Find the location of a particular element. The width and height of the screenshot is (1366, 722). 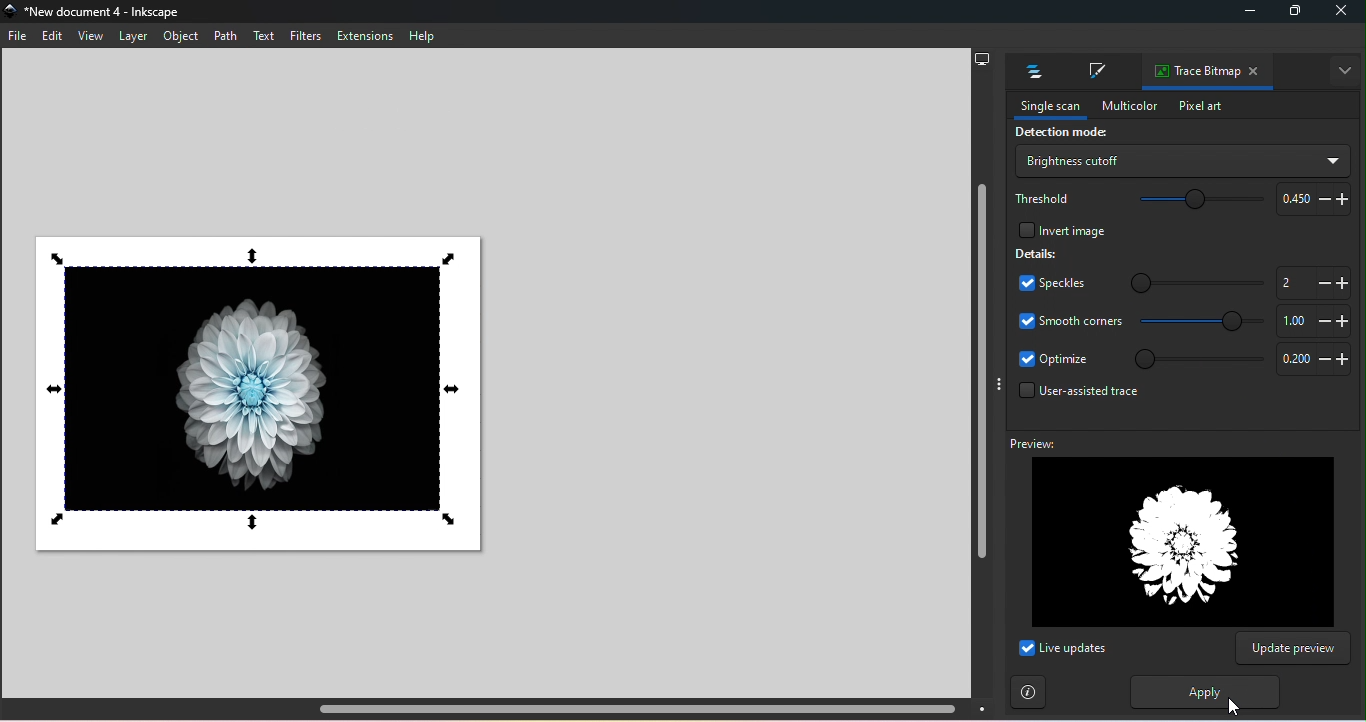

File is located at coordinates (20, 39).